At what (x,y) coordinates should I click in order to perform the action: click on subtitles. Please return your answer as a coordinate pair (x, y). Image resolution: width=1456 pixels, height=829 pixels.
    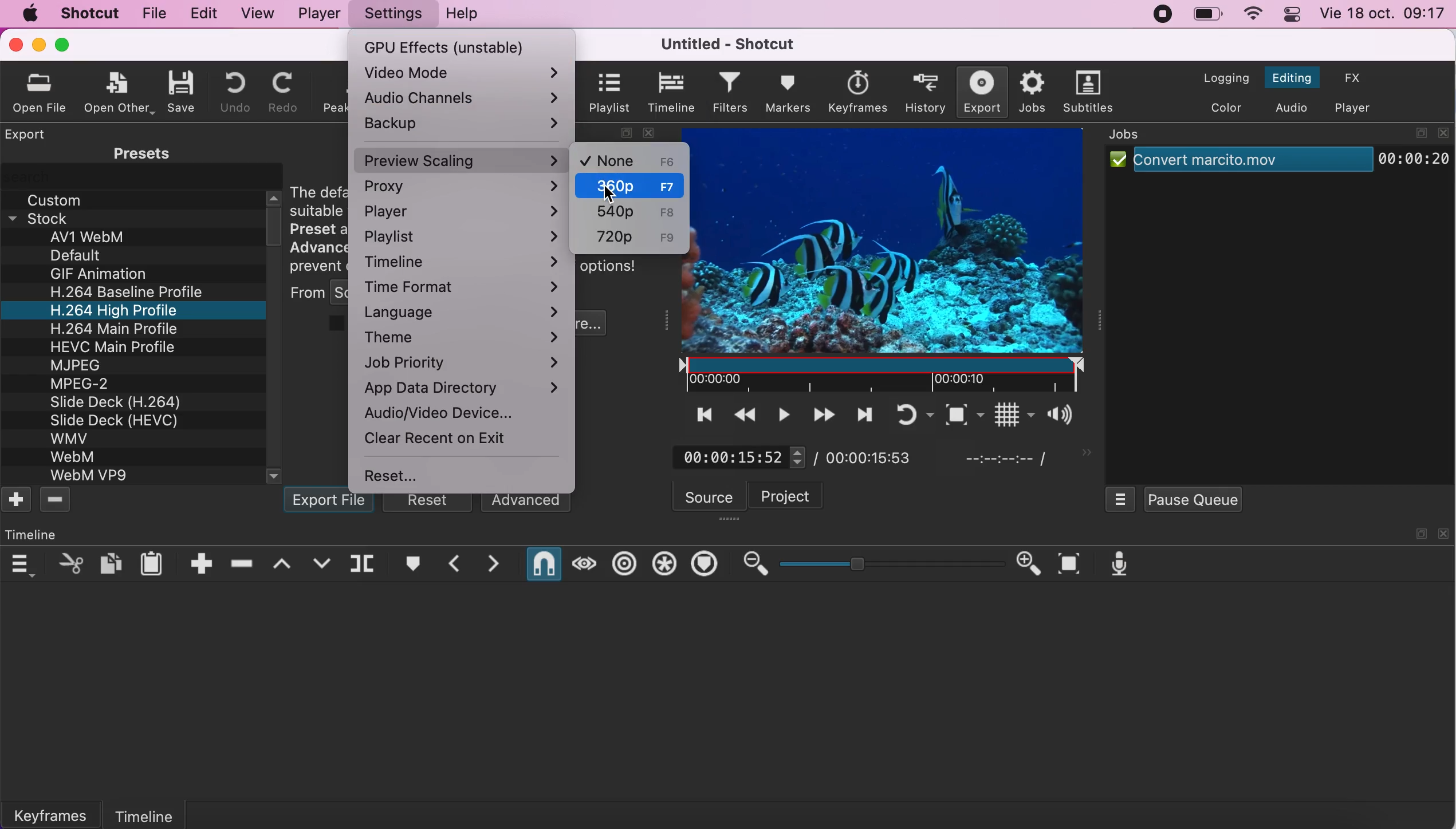
    Looking at the image, I should click on (1088, 92).